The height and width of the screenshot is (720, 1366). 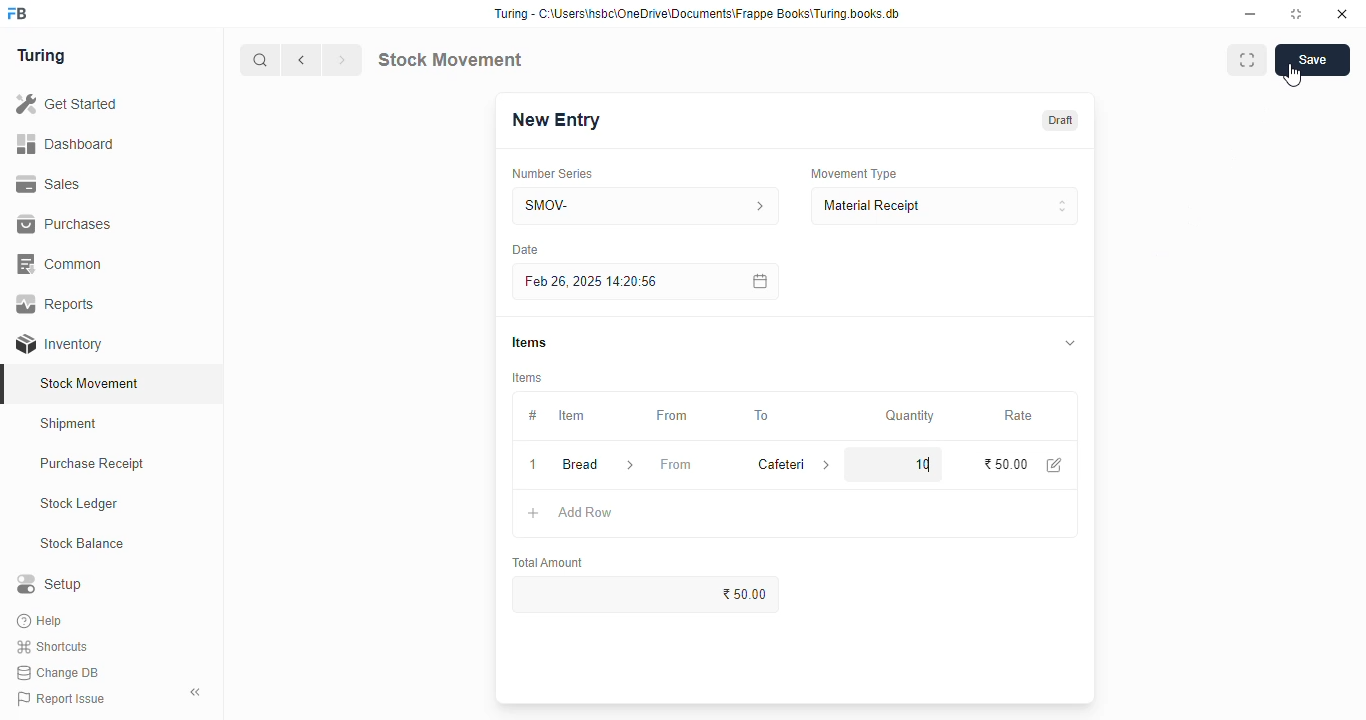 I want to click on movement type, so click(x=853, y=173).